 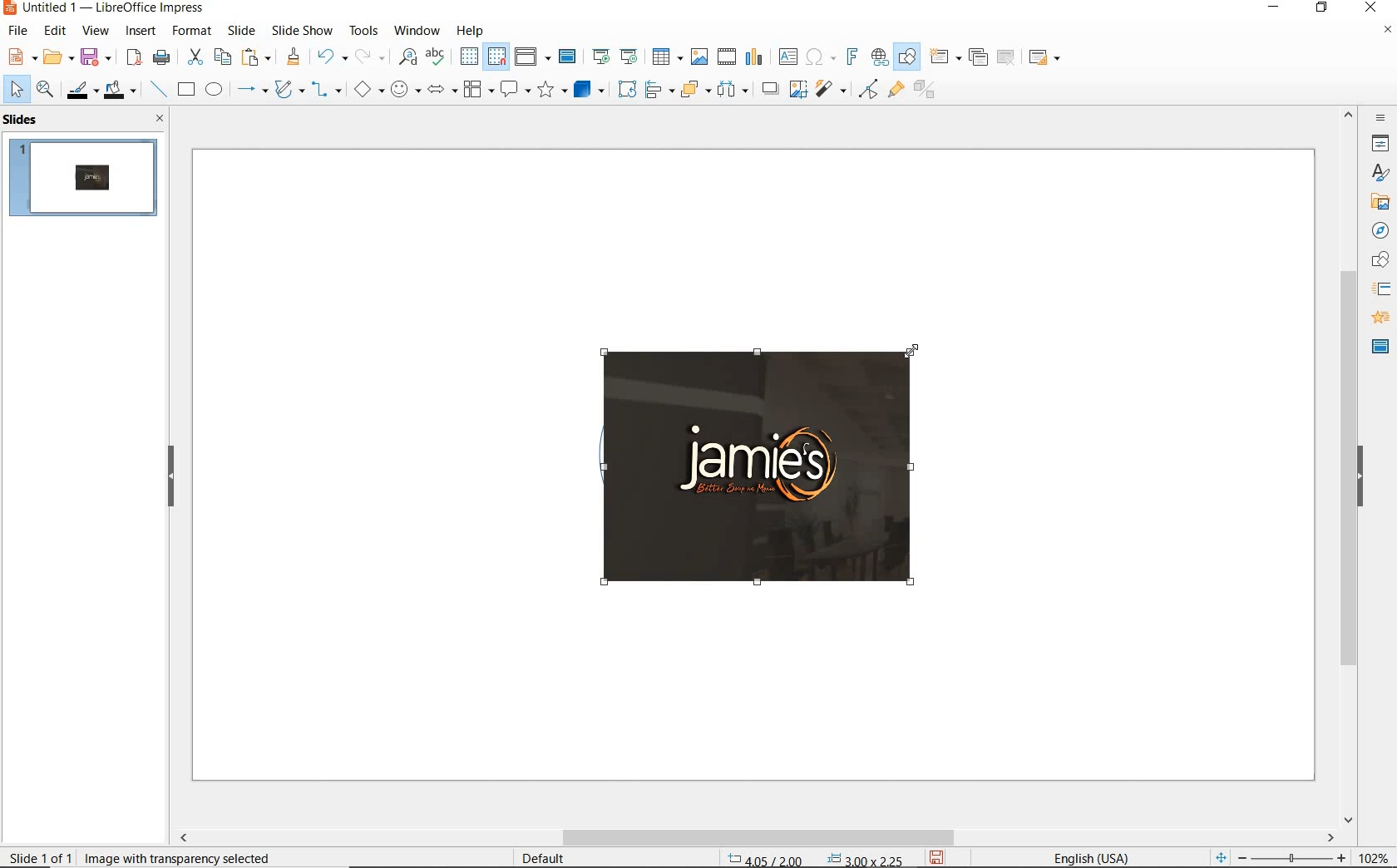 I want to click on symbol shapes, so click(x=405, y=89).